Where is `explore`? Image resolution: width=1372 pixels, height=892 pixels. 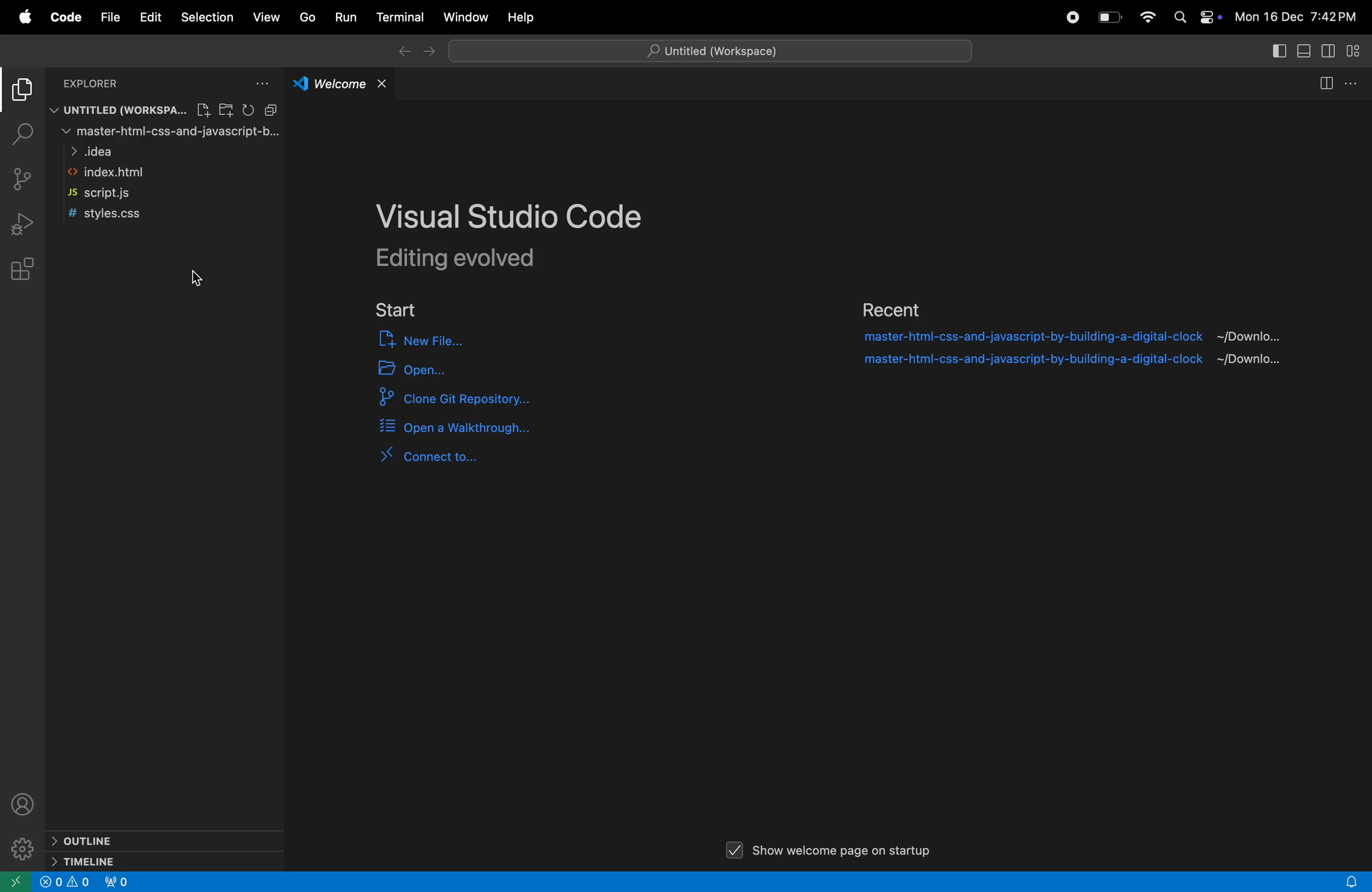
explore is located at coordinates (24, 93).